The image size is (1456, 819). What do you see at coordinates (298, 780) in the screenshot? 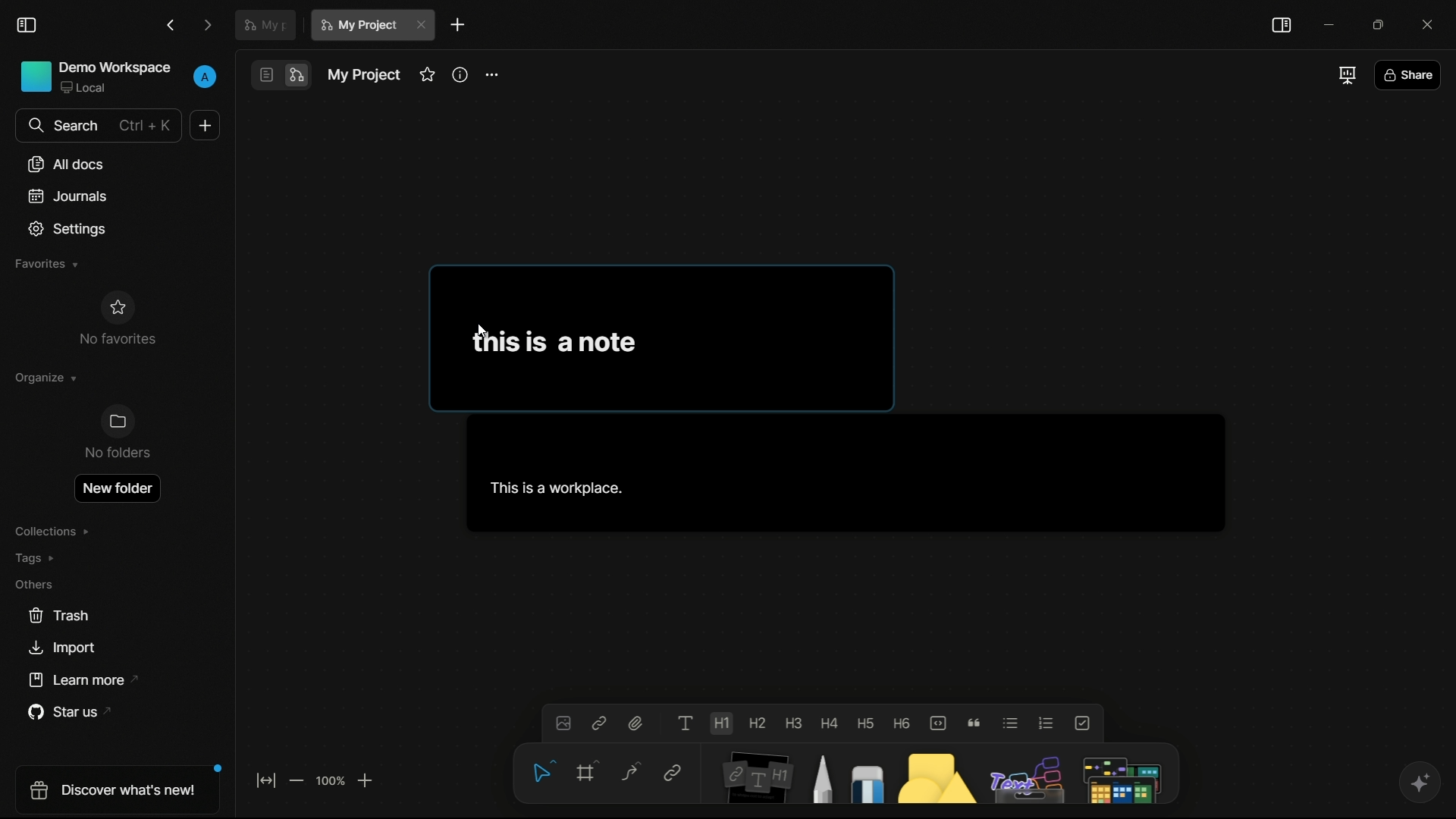
I see `zoom out` at bounding box center [298, 780].